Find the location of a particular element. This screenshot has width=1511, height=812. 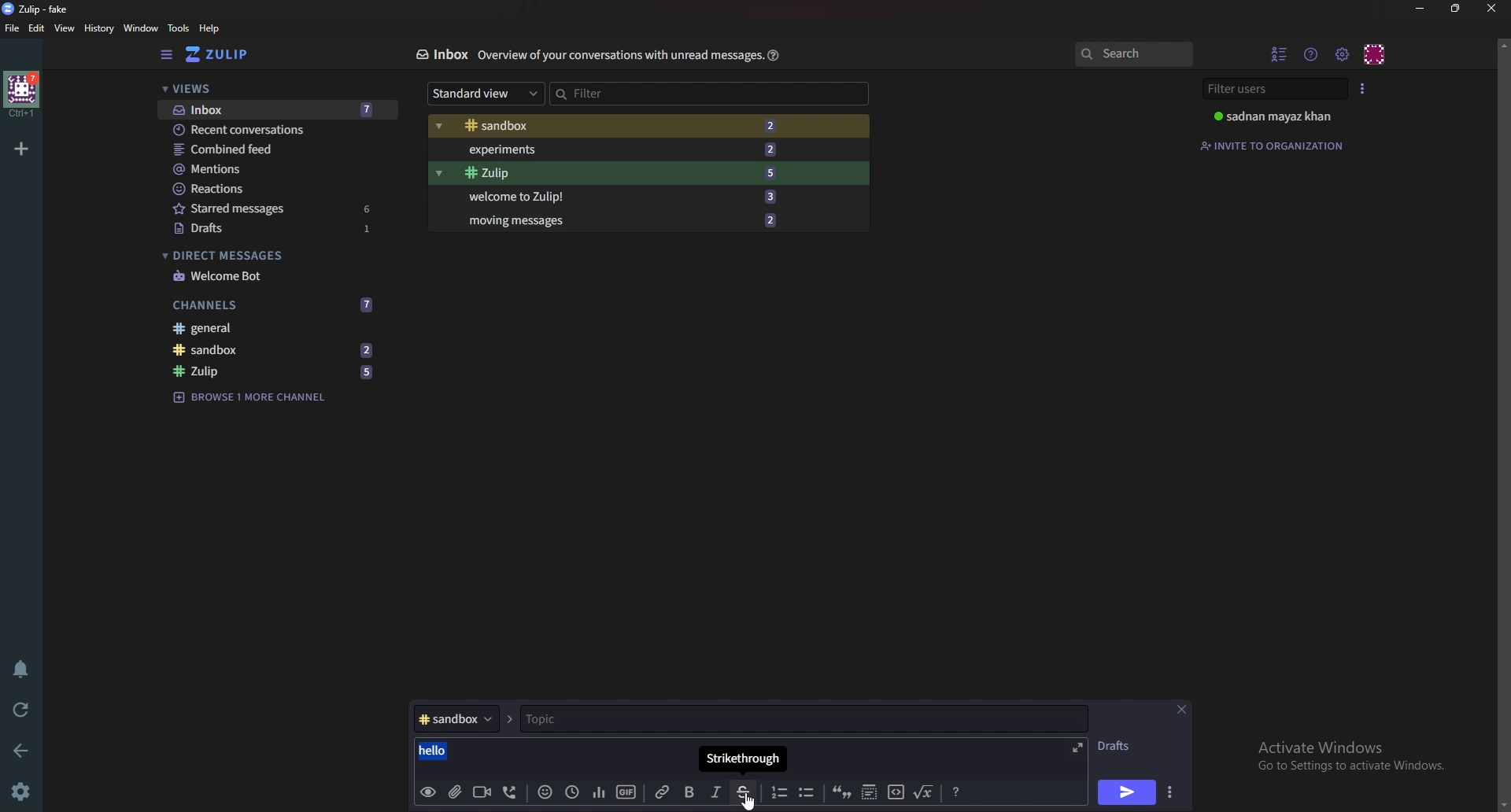

Hide sidebar is located at coordinates (169, 54).